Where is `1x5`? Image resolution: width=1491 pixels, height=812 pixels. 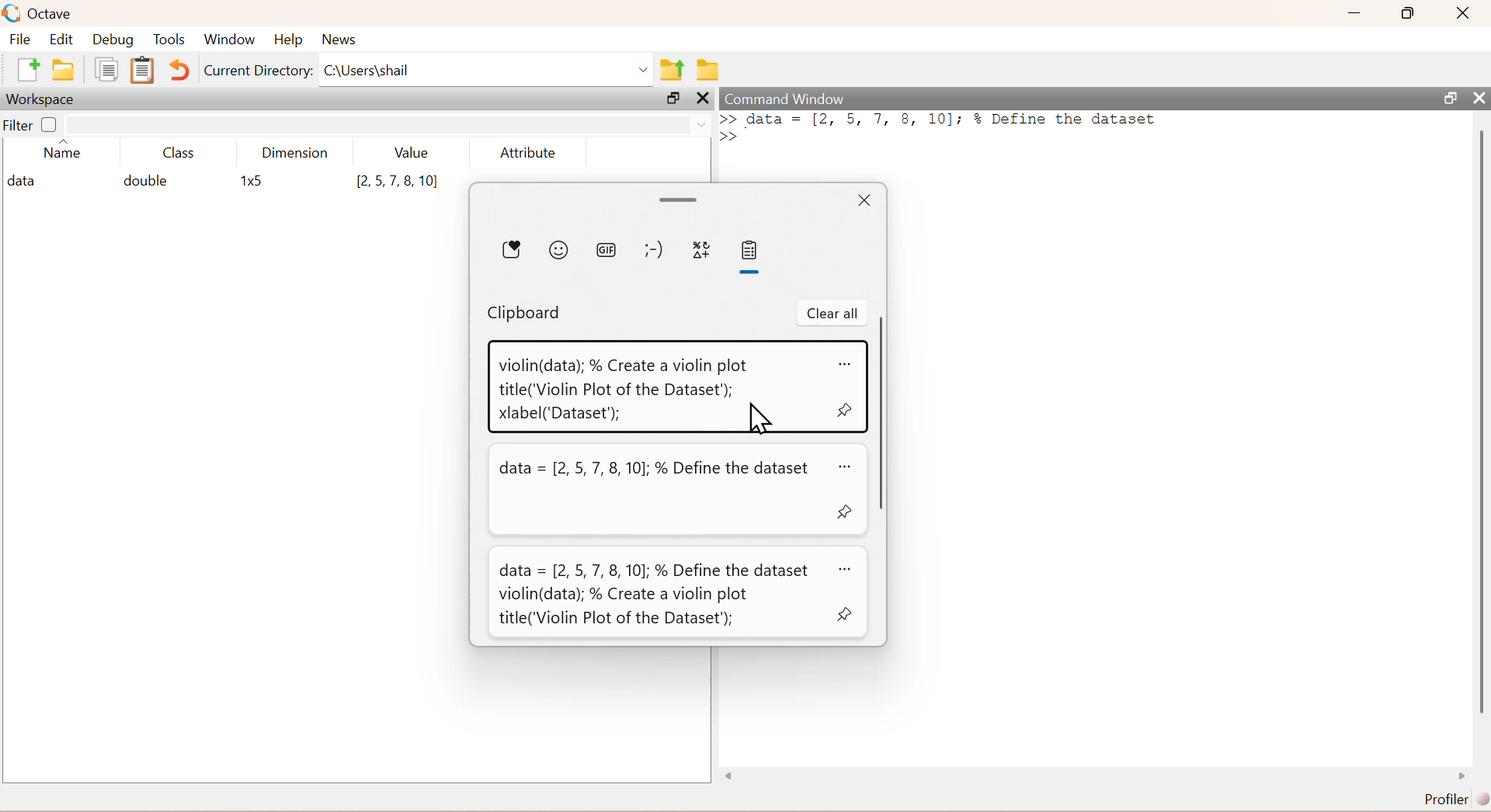 1x5 is located at coordinates (255, 182).